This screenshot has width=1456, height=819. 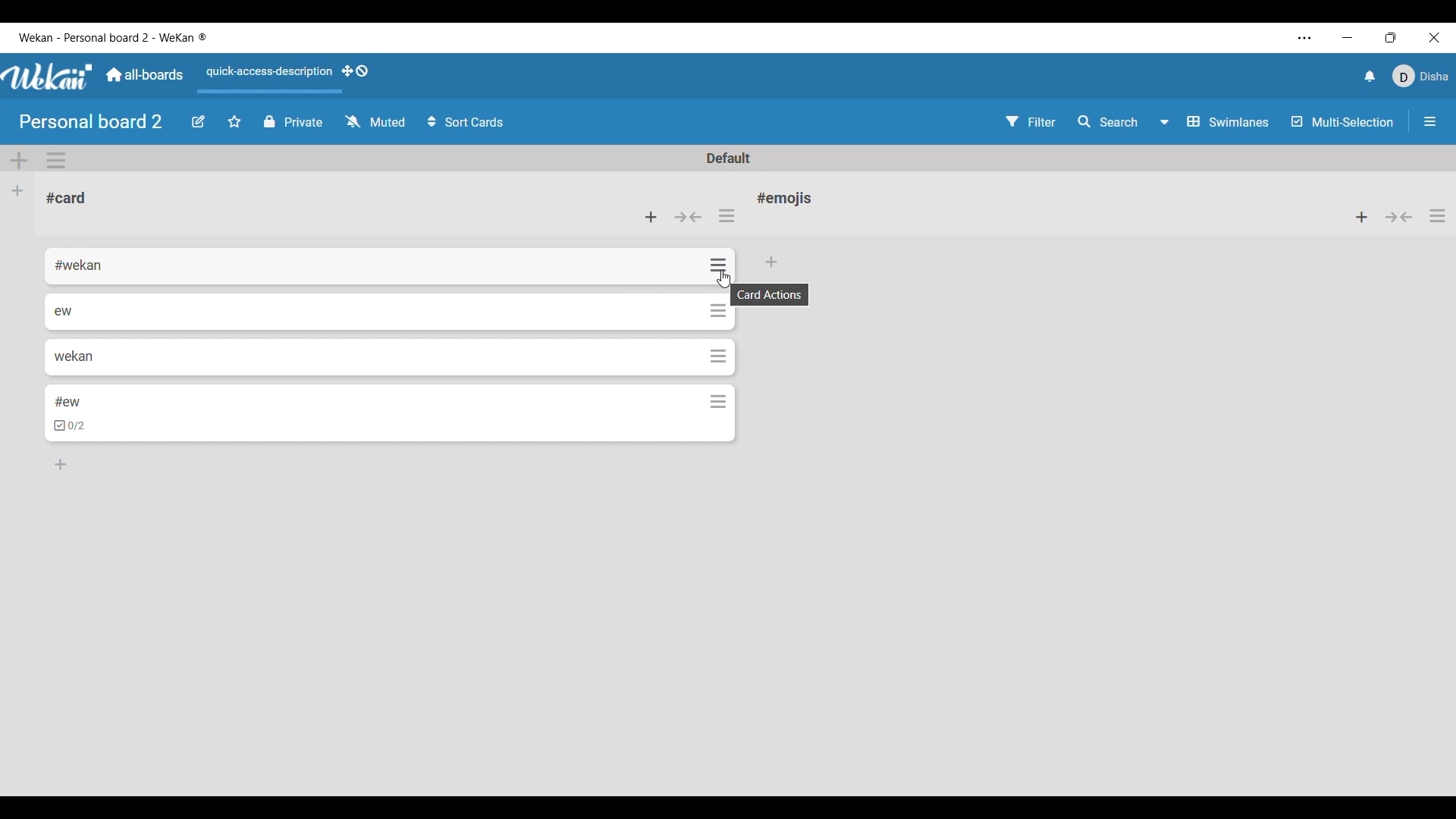 I want to click on Card actions for respective card, so click(x=721, y=402).